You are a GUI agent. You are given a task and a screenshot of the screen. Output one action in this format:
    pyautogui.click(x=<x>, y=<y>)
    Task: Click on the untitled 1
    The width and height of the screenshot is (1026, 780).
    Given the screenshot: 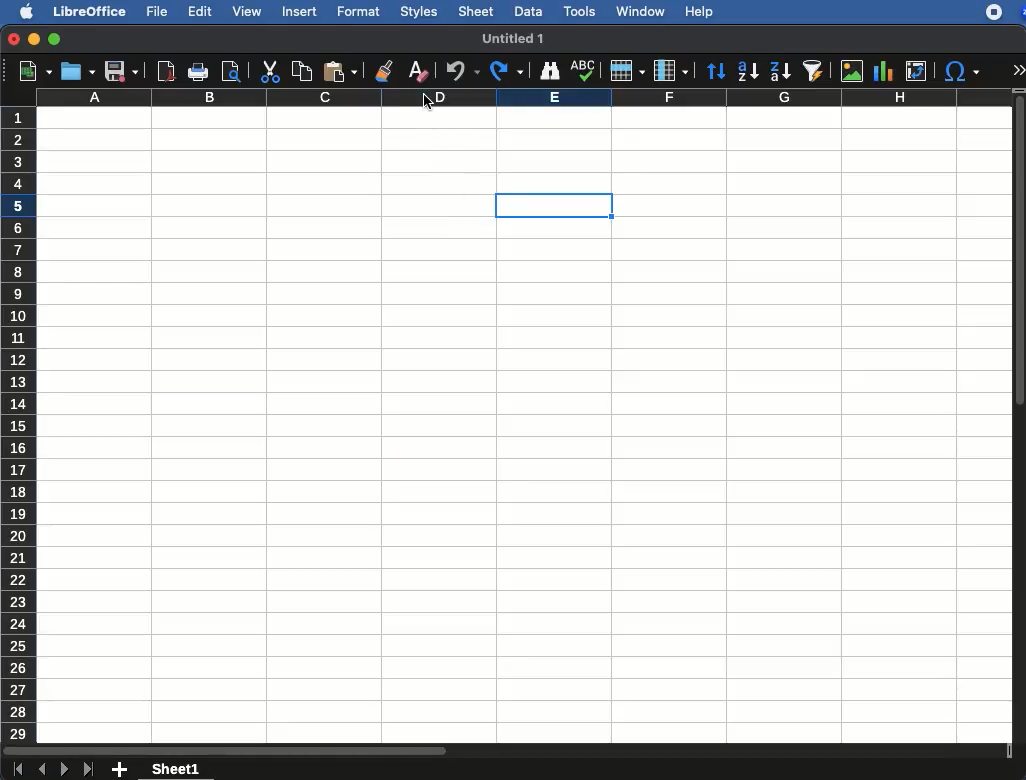 What is the action you would take?
    pyautogui.click(x=512, y=37)
    